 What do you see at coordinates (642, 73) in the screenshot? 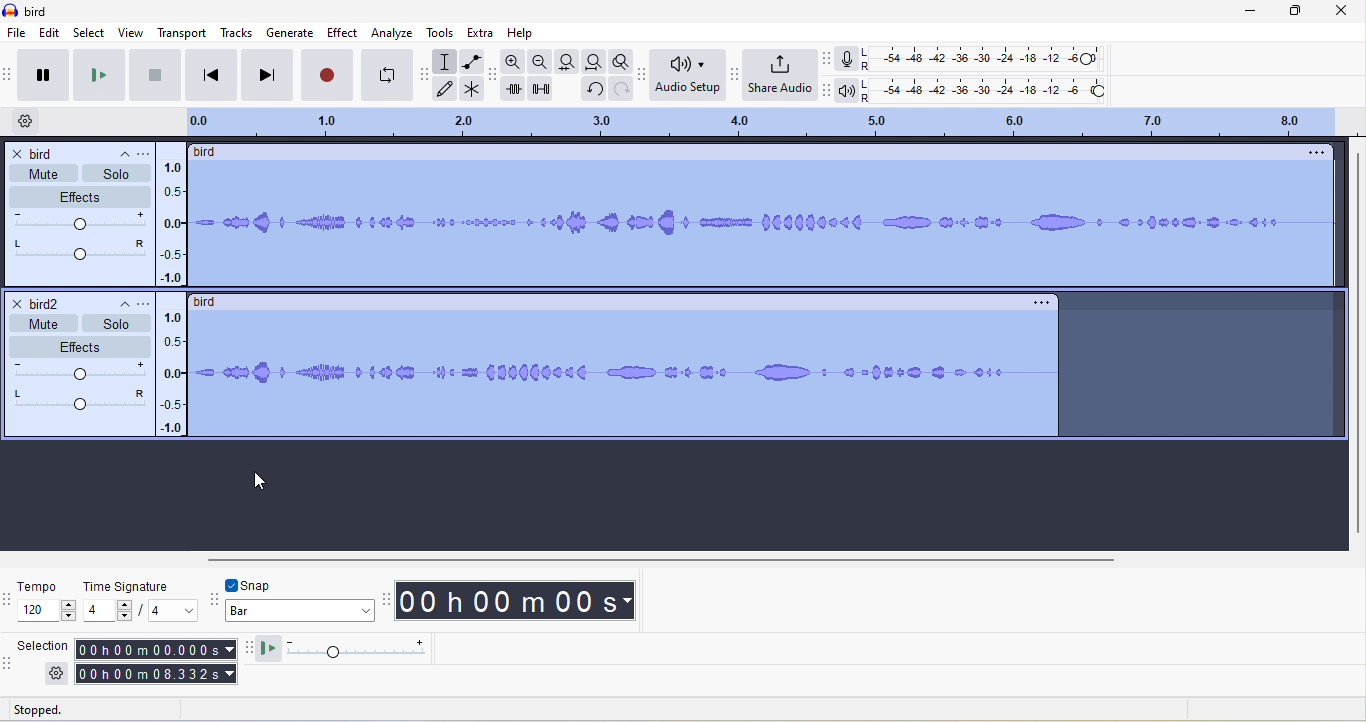
I see `audacity audio setup toolbar` at bounding box center [642, 73].